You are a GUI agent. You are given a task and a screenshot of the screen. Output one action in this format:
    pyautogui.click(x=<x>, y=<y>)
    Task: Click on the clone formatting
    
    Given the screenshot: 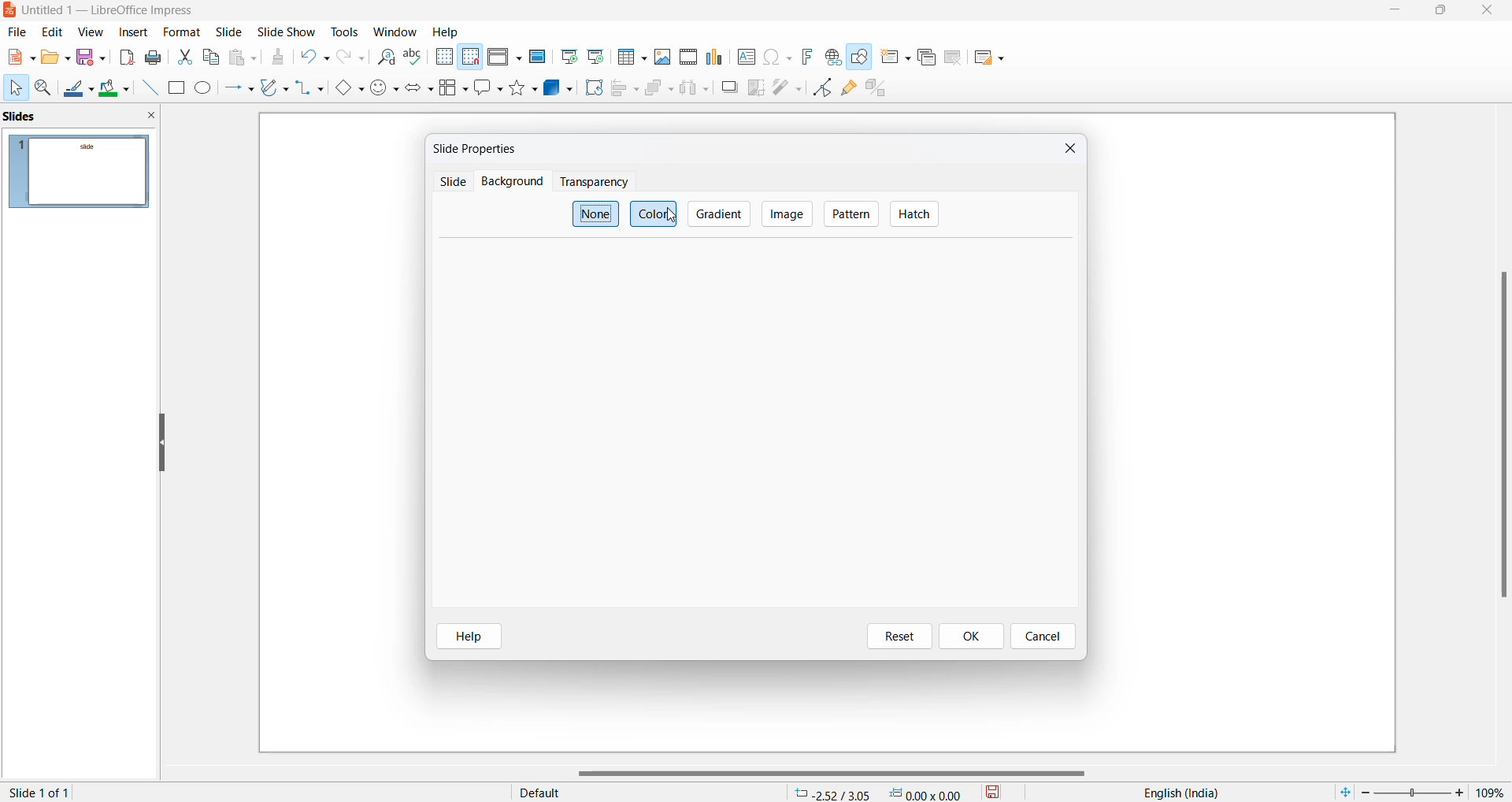 What is the action you would take?
    pyautogui.click(x=277, y=59)
    